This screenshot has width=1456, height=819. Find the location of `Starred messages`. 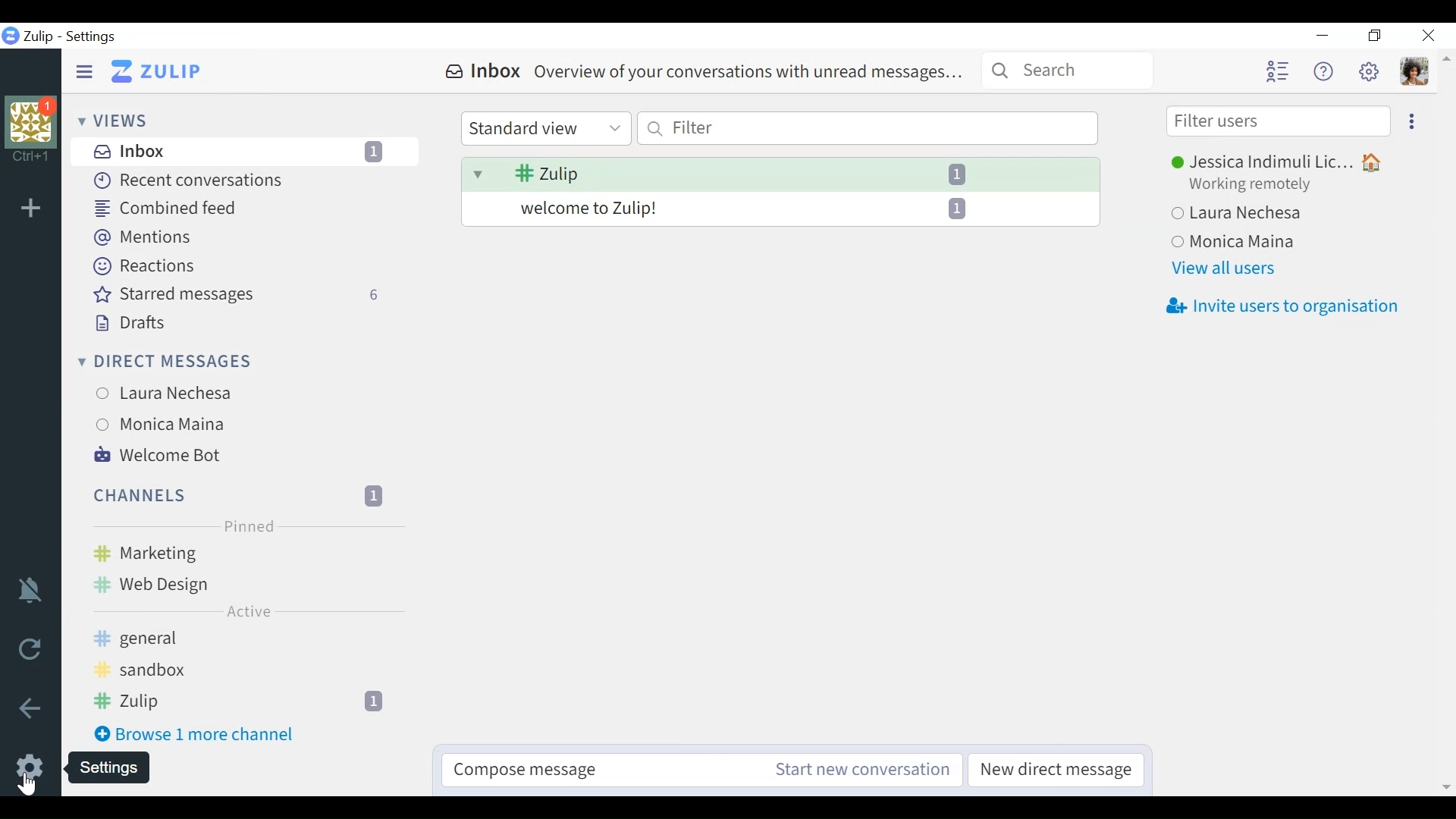

Starred messages is located at coordinates (260, 296).